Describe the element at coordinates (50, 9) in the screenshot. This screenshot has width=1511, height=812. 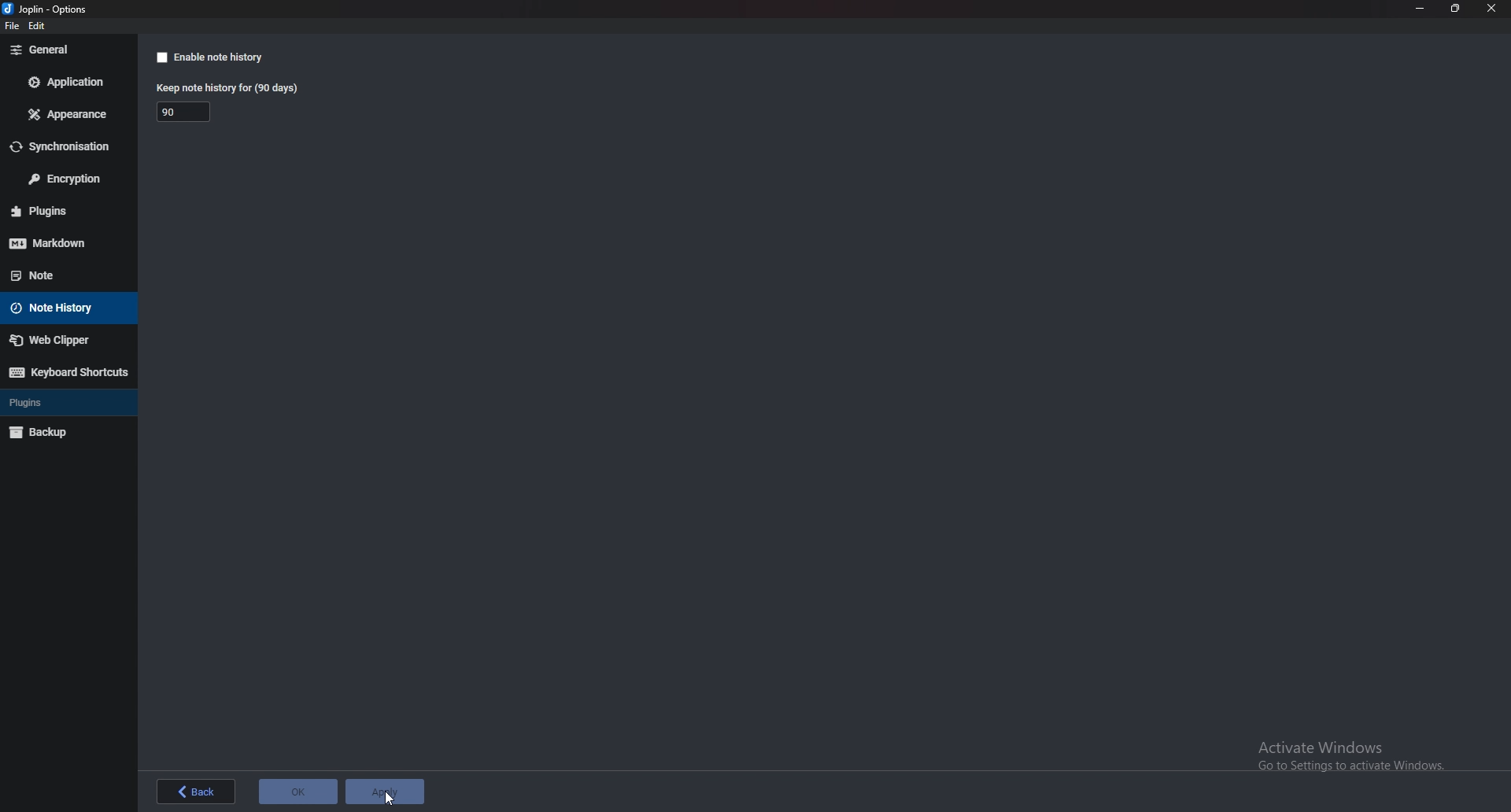
I see `options` at that location.